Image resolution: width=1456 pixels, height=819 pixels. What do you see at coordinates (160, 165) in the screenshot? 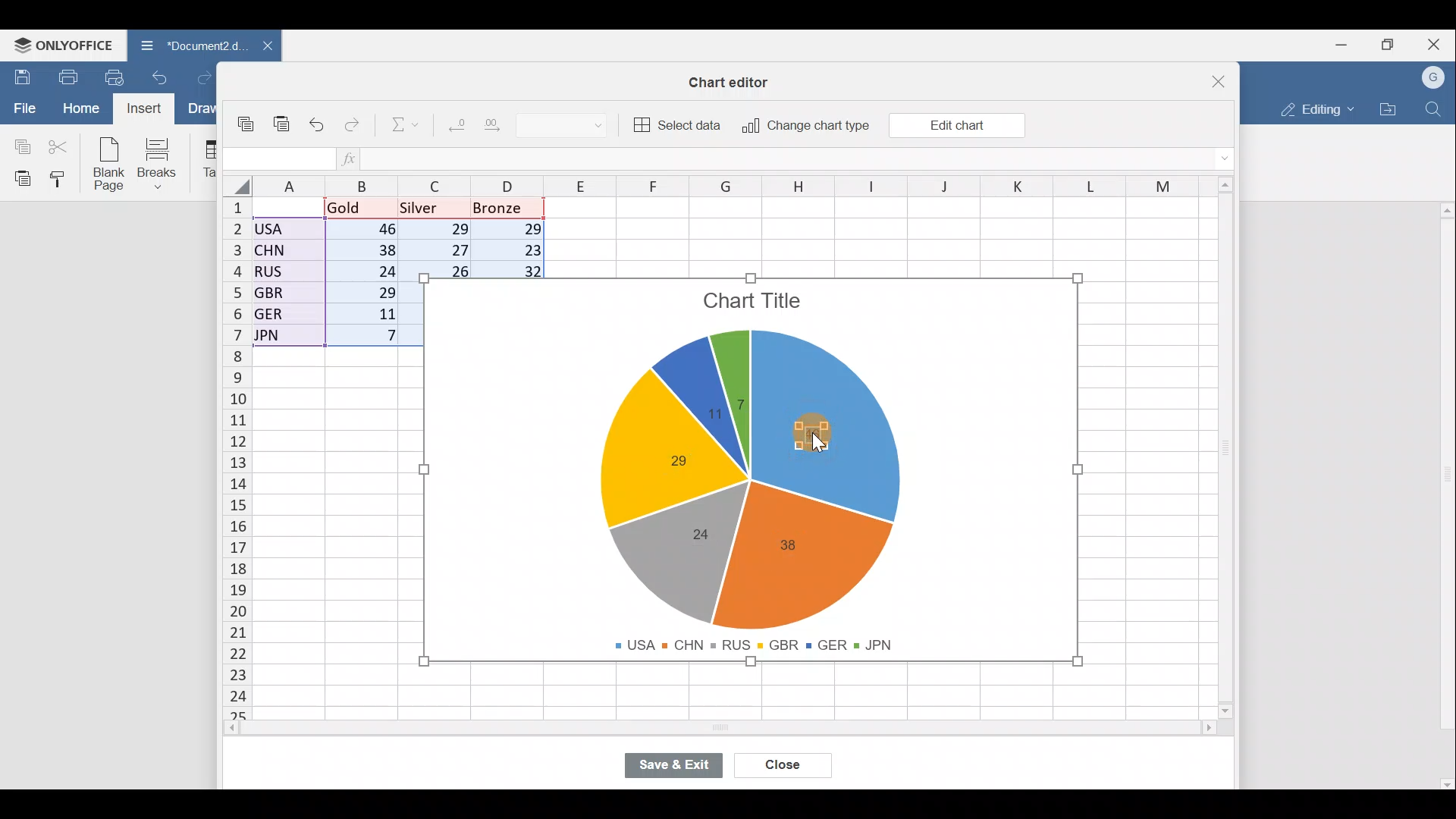
I see `Breaks` at bounding box center [160, 165].